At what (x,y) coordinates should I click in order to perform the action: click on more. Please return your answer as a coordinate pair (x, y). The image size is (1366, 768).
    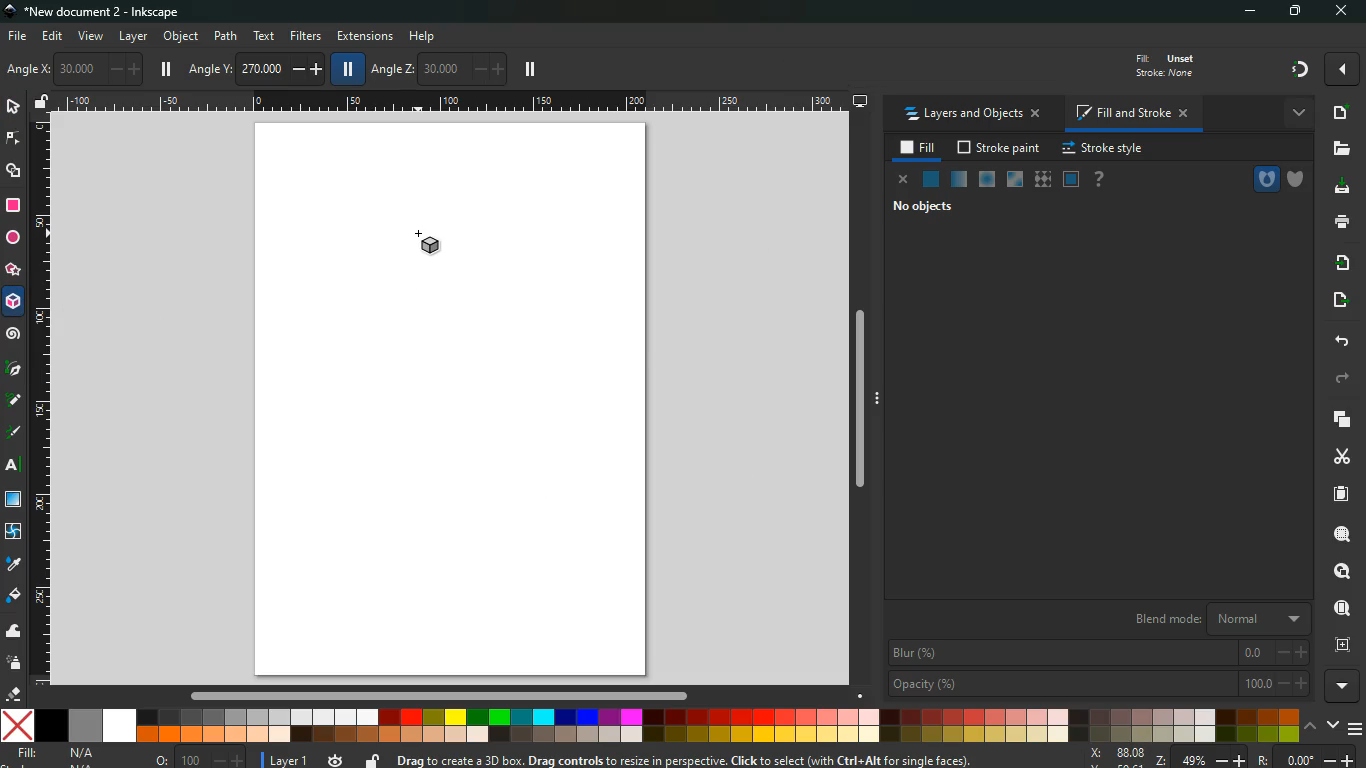
    Looking at the image, I should click on (1296, 112).